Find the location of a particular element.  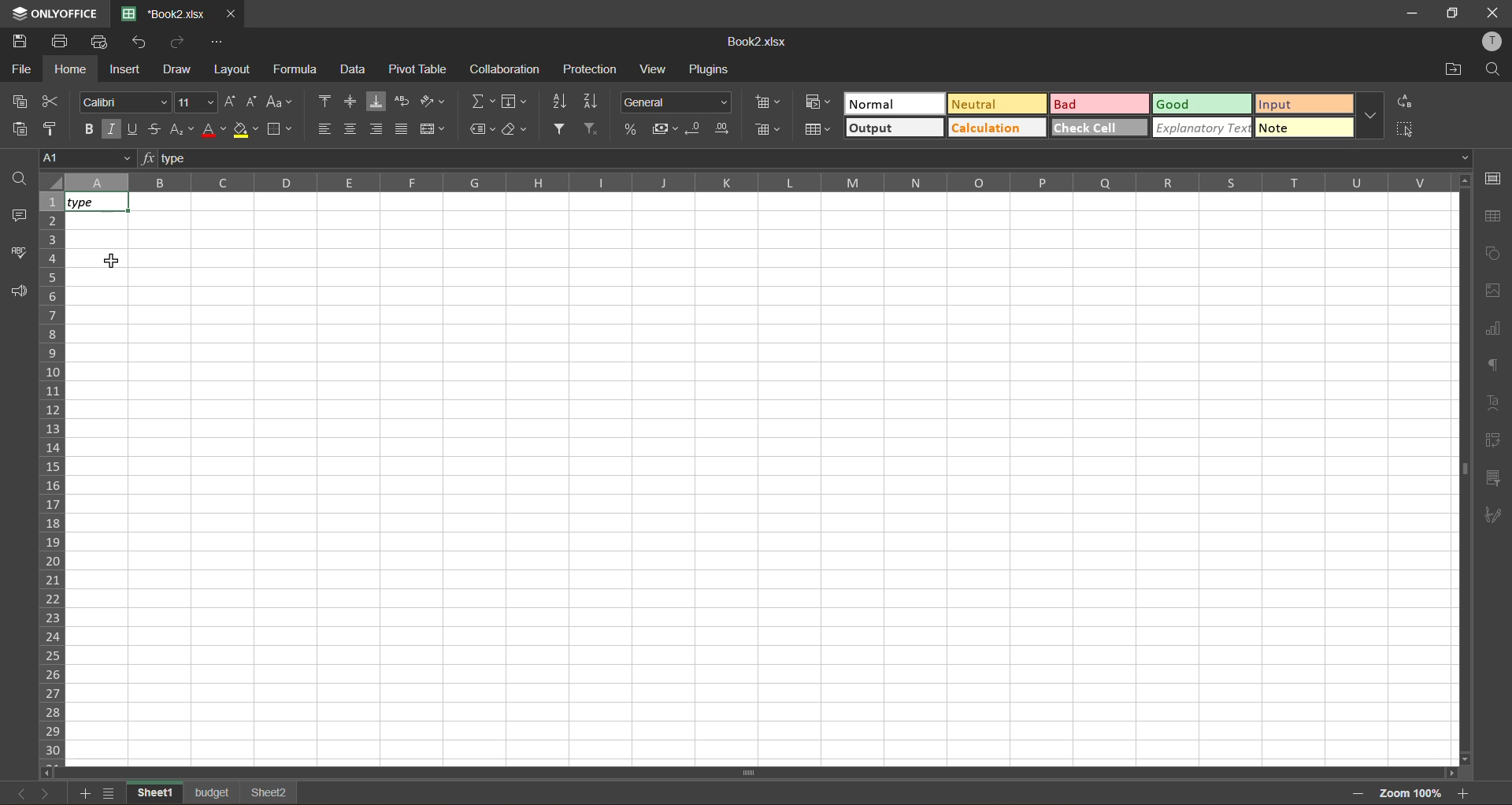

borders is located at coordinates (281, 129).